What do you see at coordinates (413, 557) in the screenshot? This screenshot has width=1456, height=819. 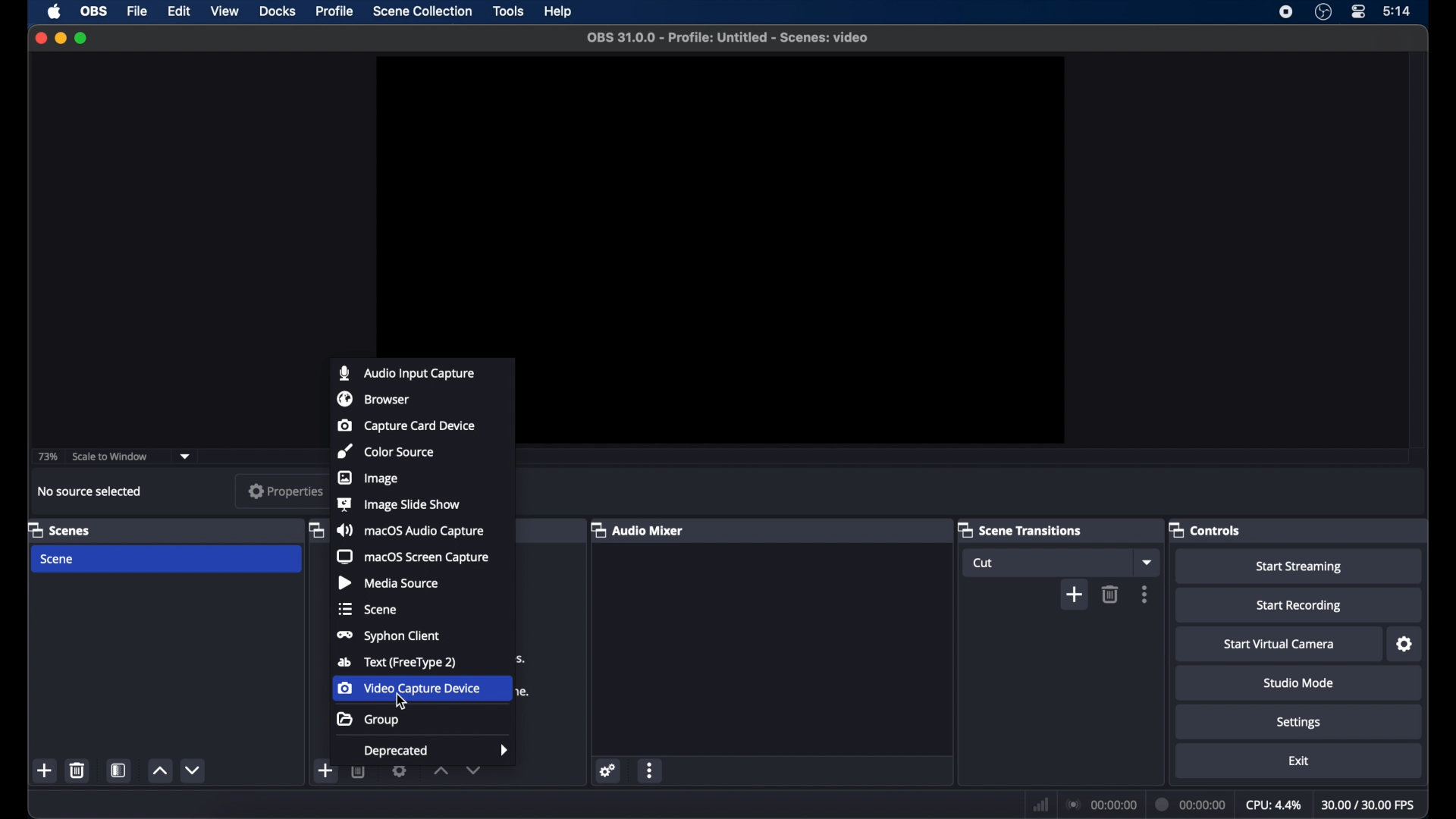 I see `macOS screen capture` at bounding box center [413, 557].